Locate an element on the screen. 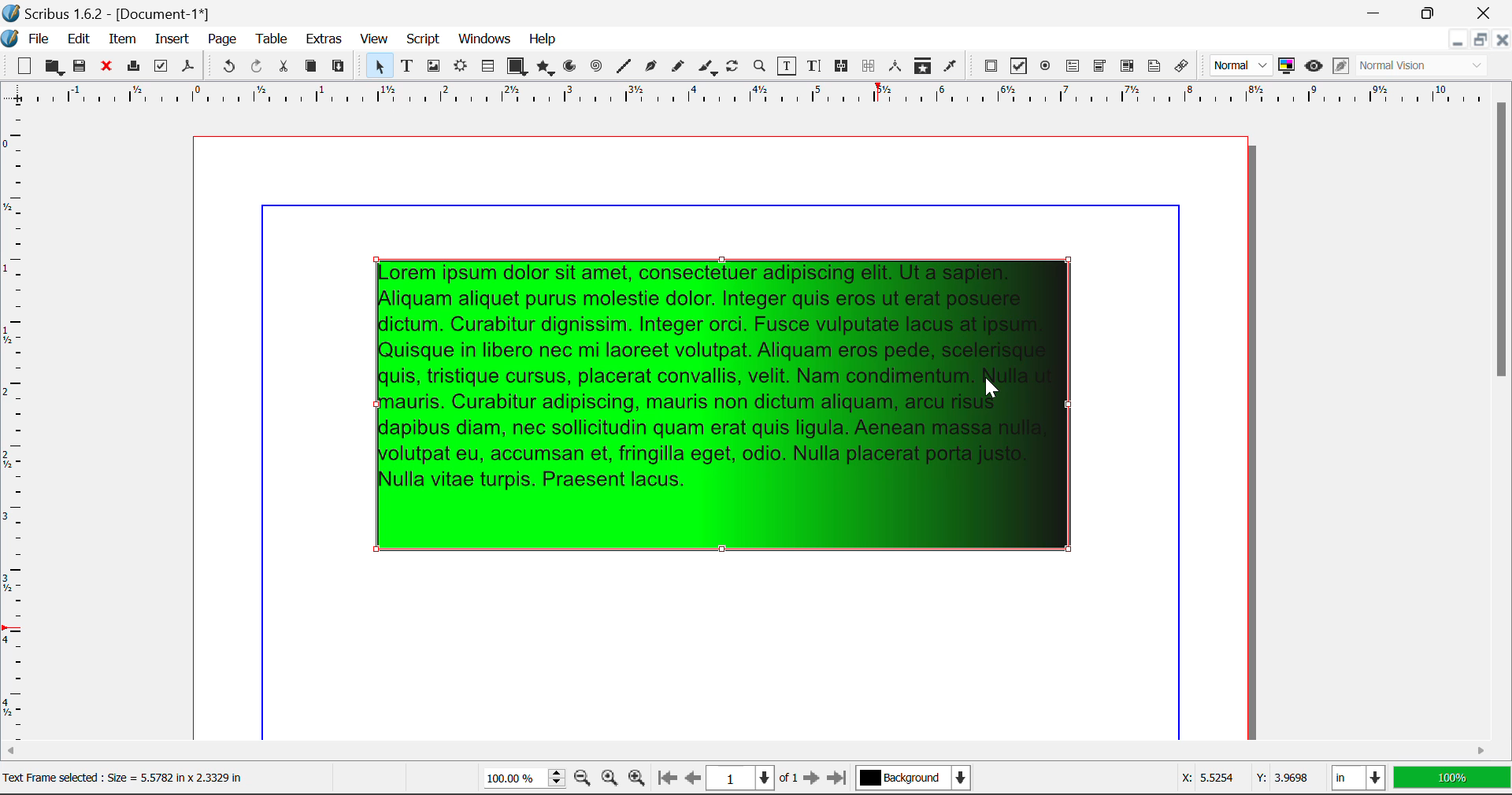 The image size is (1512, 795). PDF Checkbox is located at coordinates (1017, 66).